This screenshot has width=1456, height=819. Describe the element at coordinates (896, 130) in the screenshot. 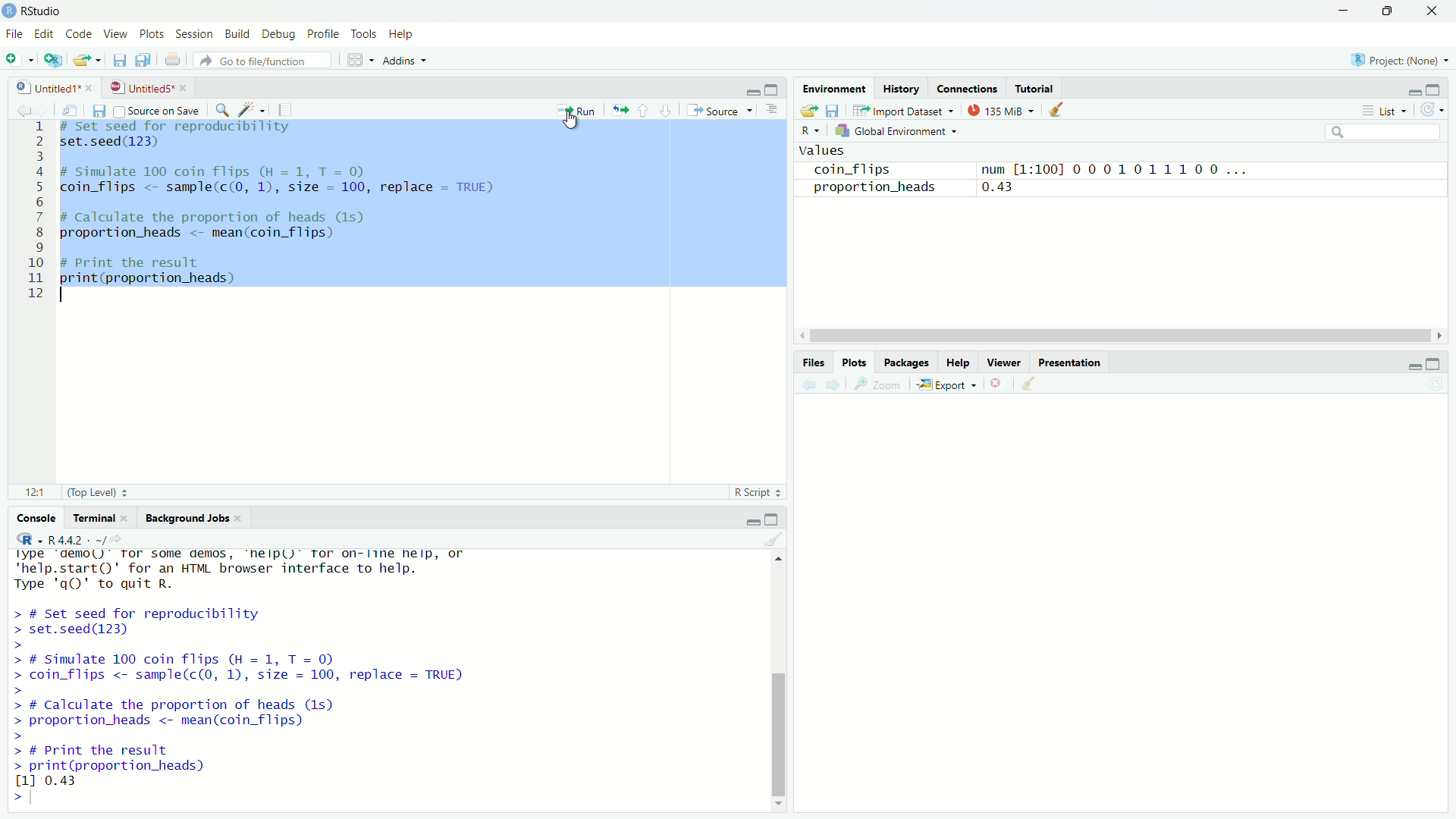

I see `global environment` at that location.